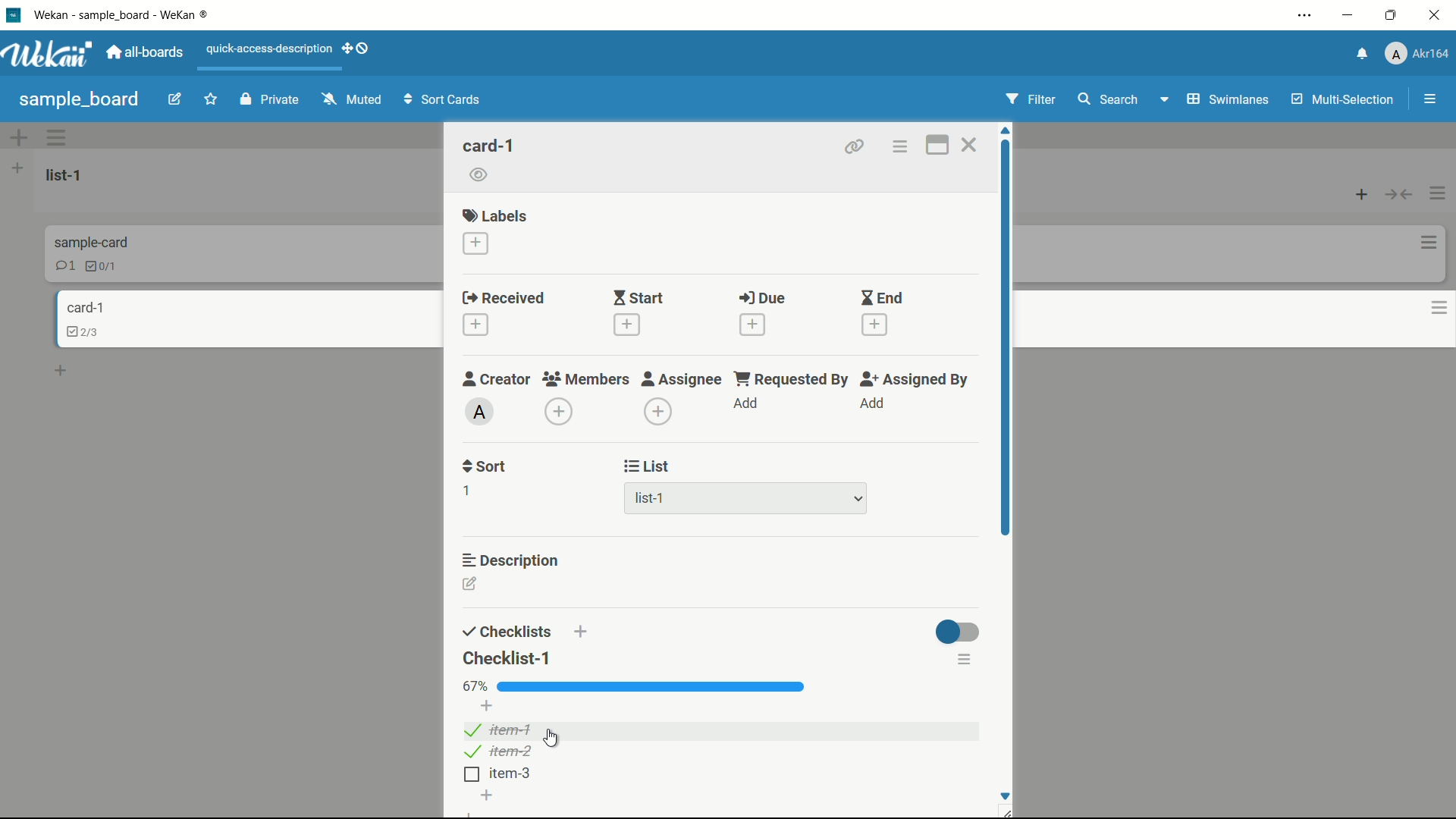  What do you see at coordinates (1349, 15) in the screenshot?
I see `minimize` at bounding box center [1349, 15].